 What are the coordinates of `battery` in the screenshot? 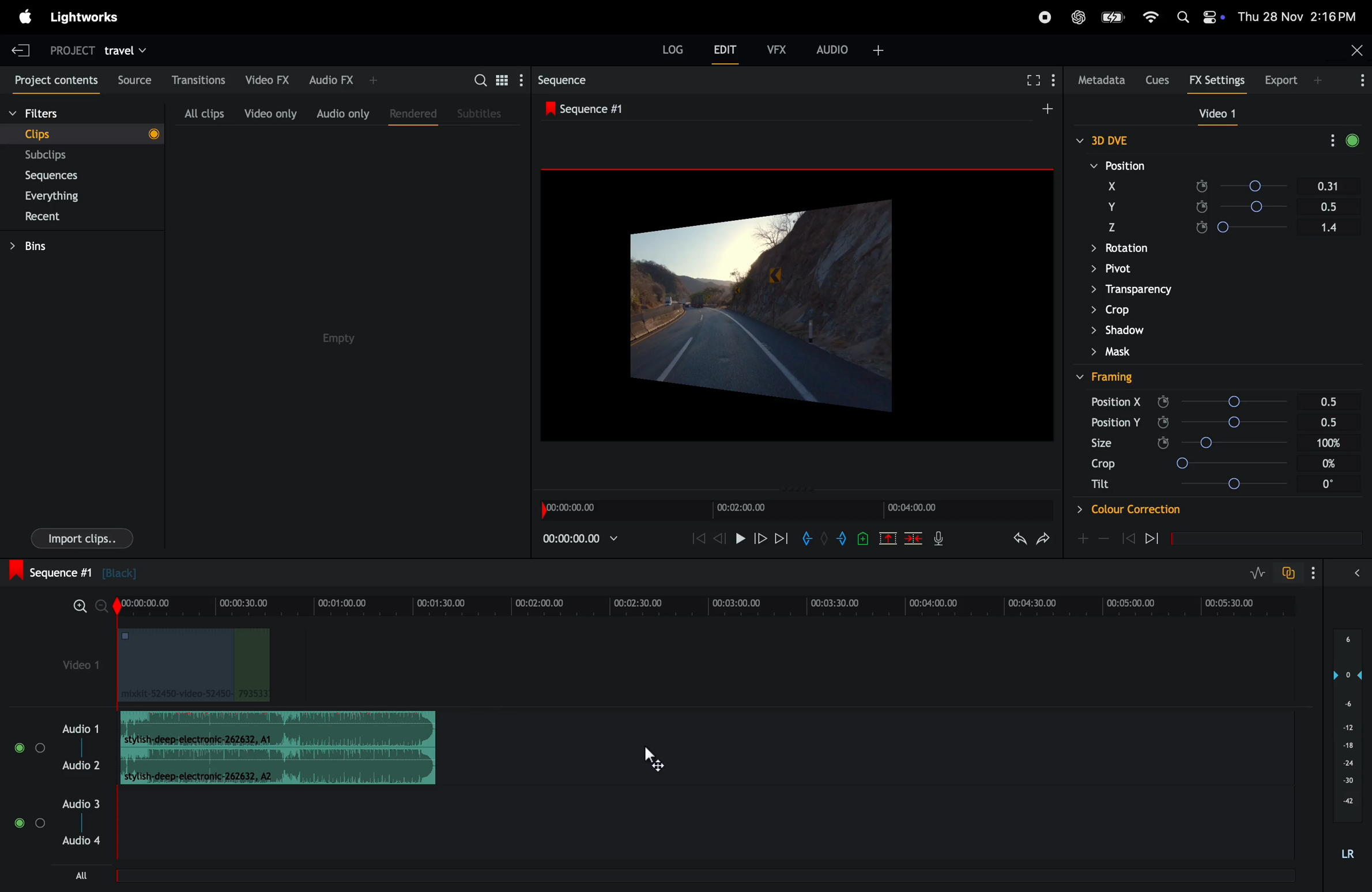 It's located at (1113, 17).